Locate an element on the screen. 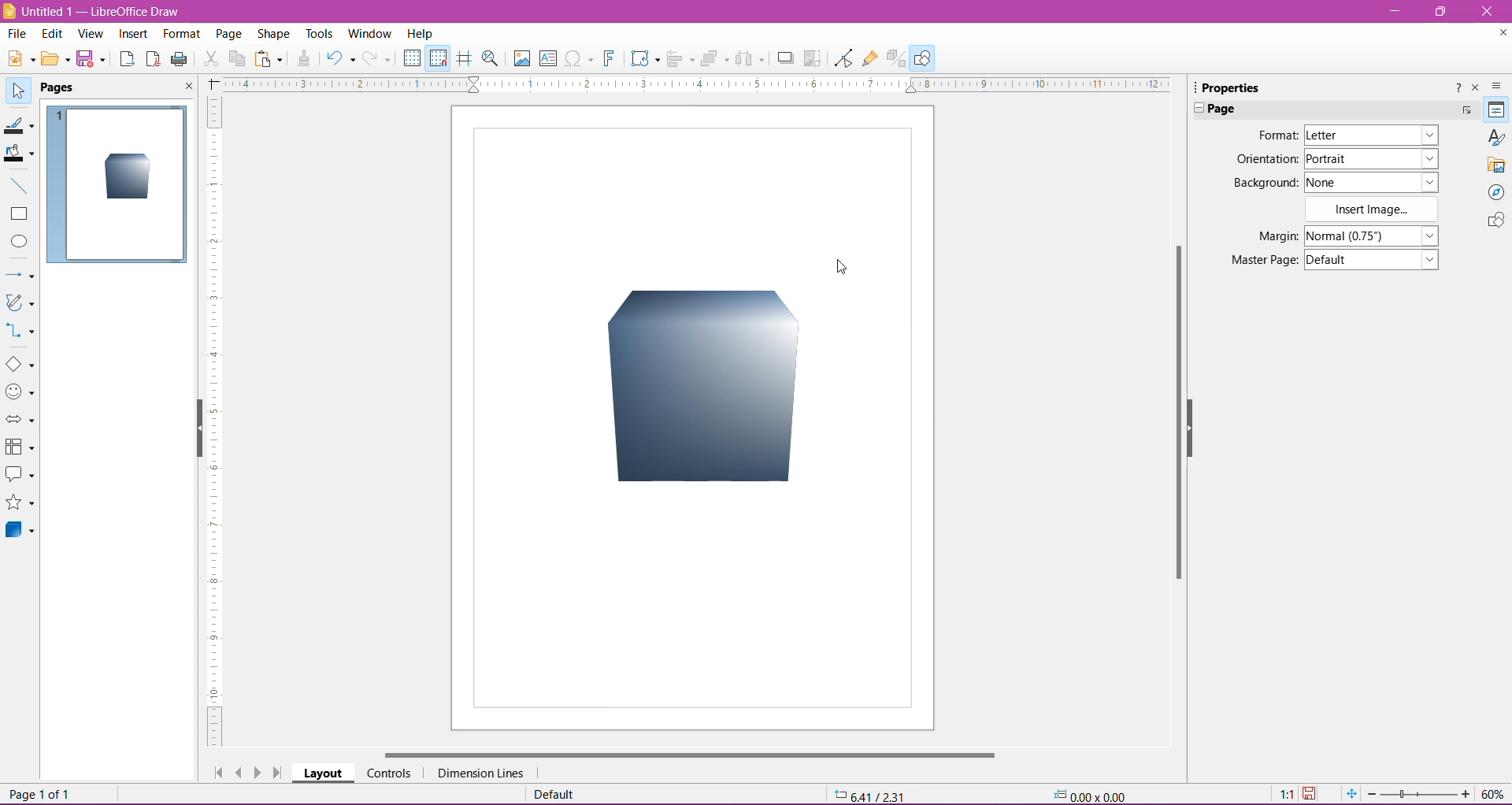 This screenshot has width=1512, height=805. Stars and Banners is located at coordinates (20, 504).